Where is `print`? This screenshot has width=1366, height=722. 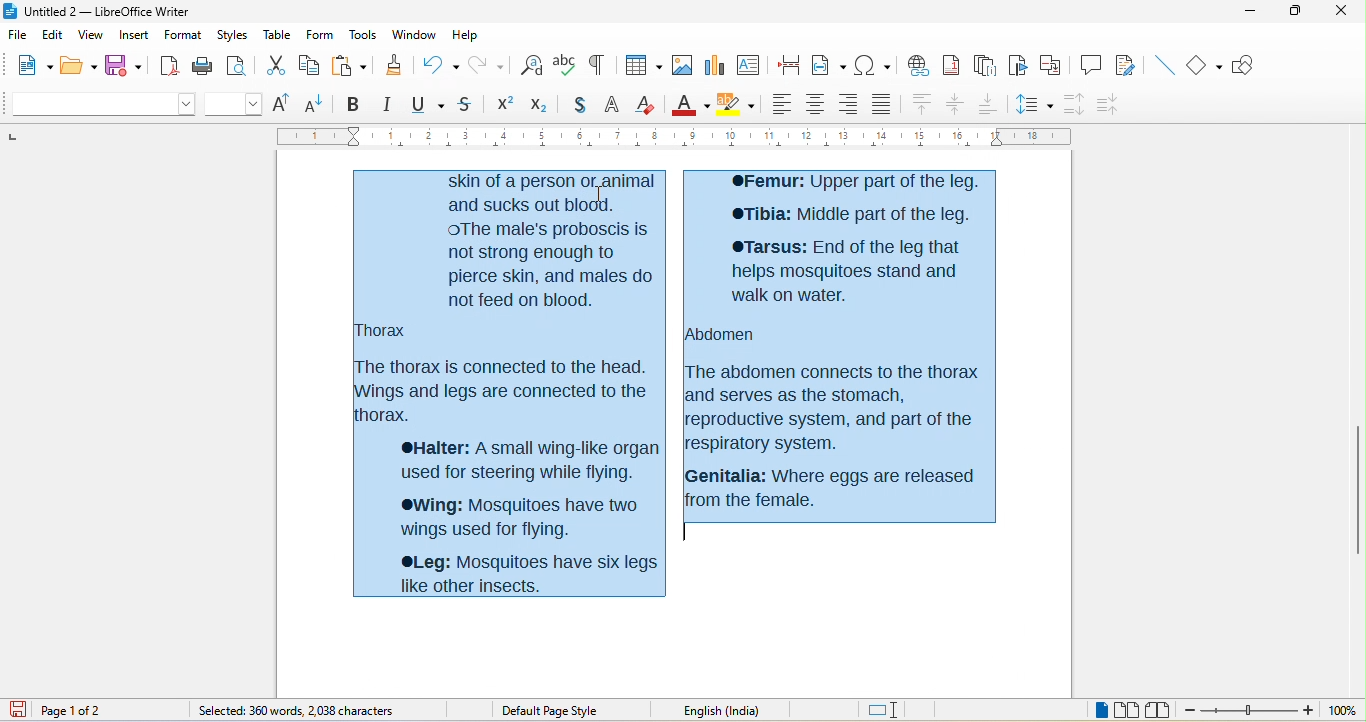 print is located at coordinates (203, 64).